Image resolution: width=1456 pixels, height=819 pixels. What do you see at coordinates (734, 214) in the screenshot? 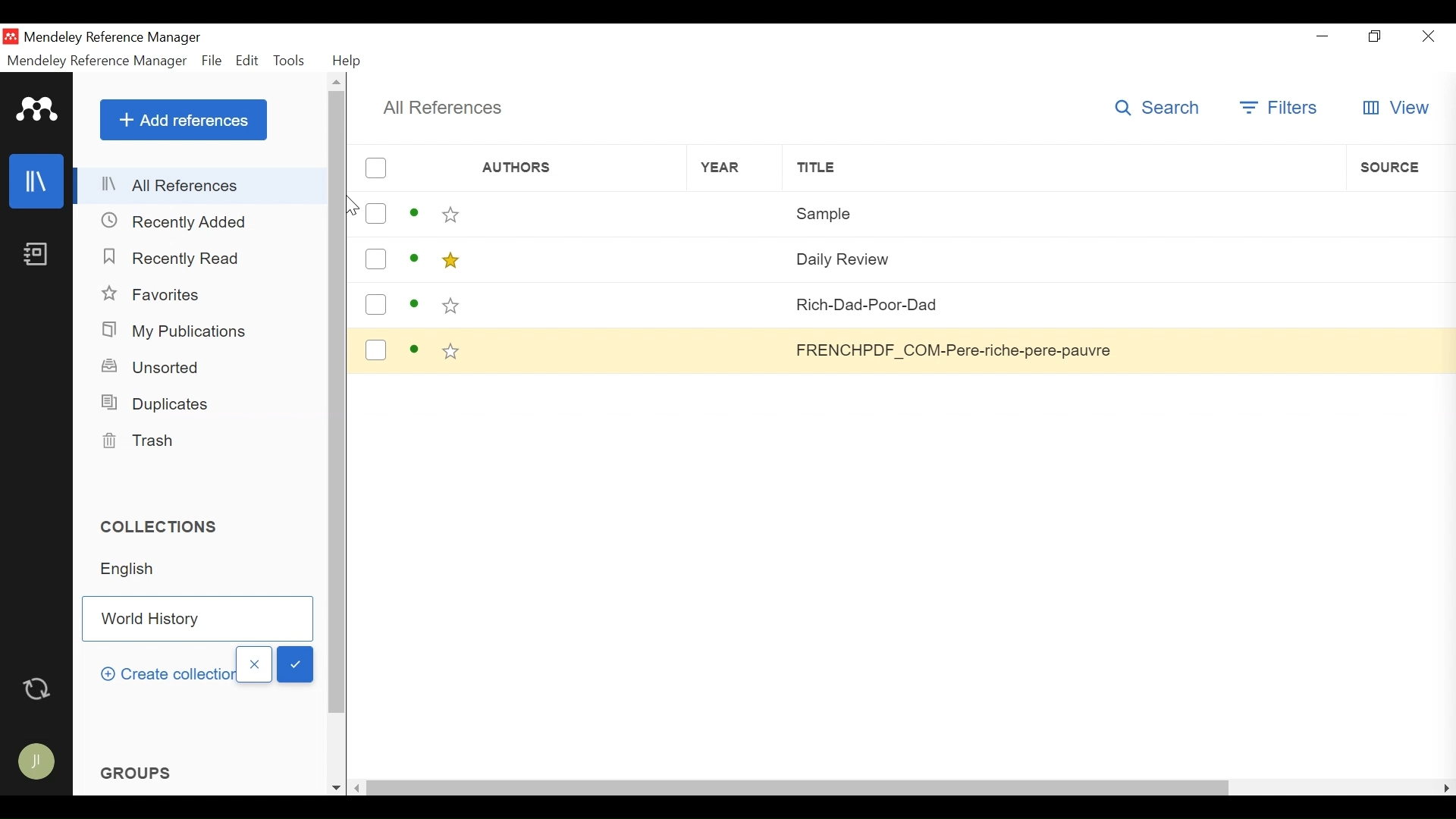
I see `Year` at bounding box center [734, 214].